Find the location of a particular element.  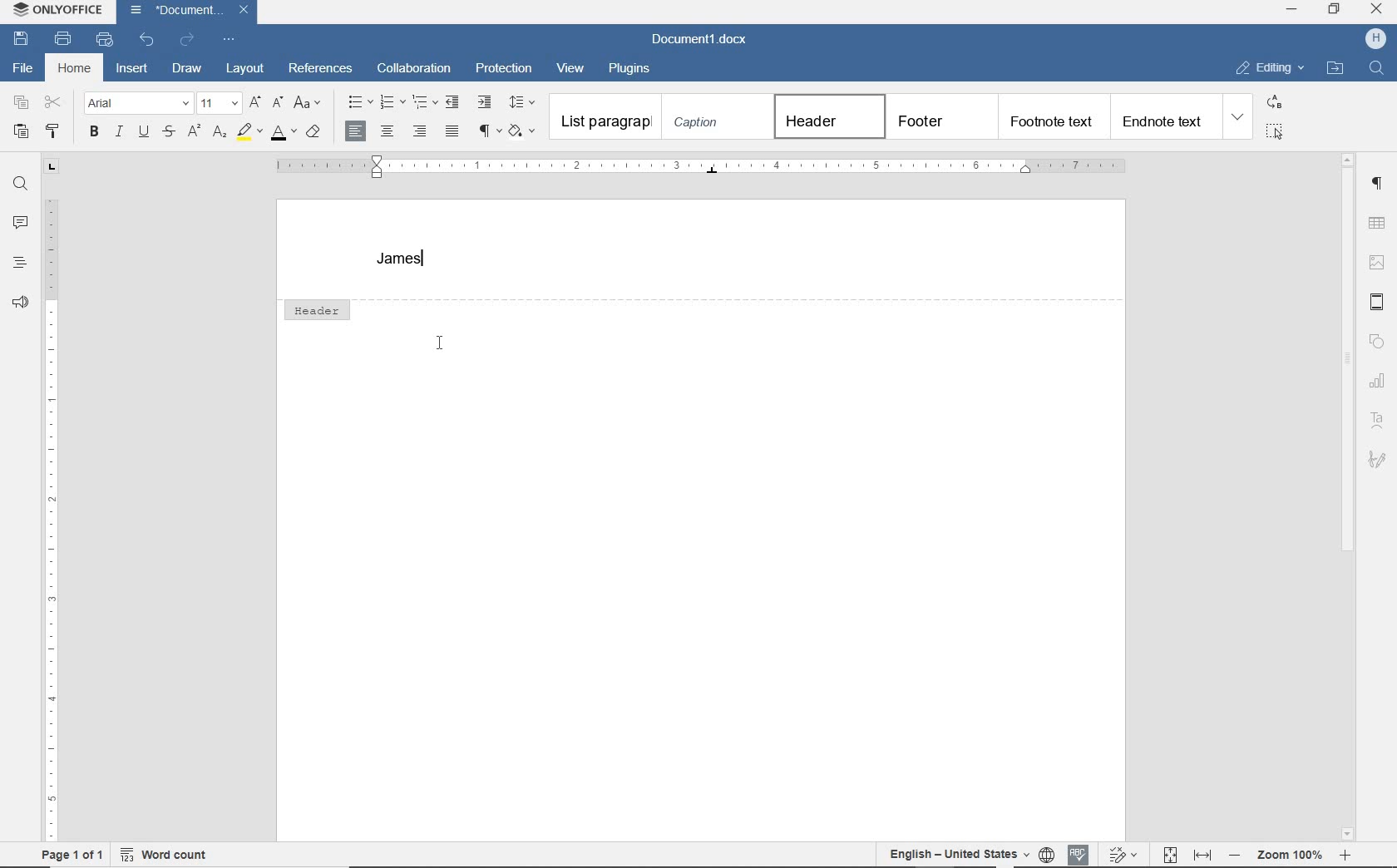

quick print is located at coordinates (103, 40).